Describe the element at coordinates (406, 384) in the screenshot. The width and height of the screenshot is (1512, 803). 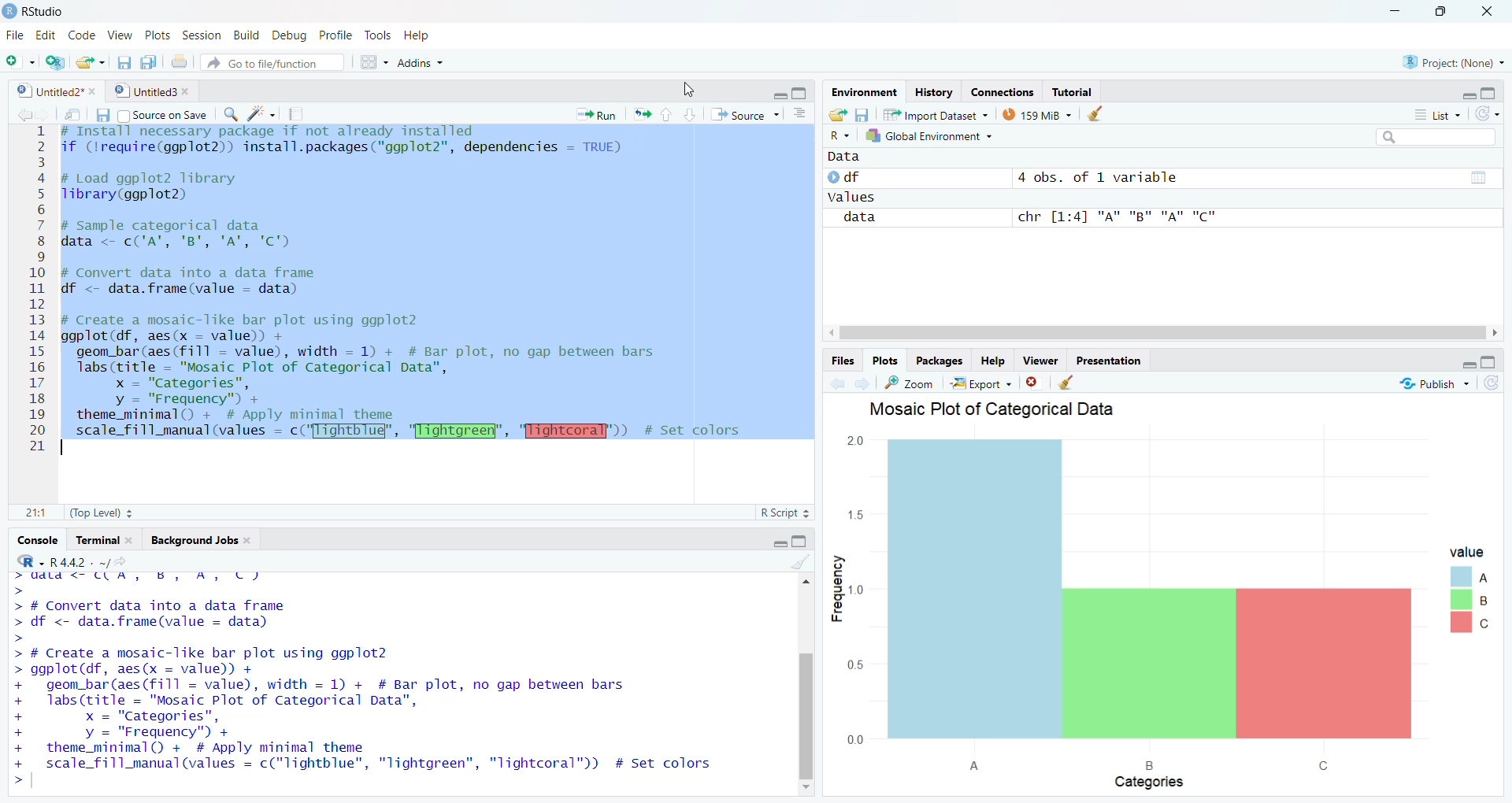
I see `# Create a mosaic-like bar plot using ggplot2
ggplot (df, aes(x = value)) +
geom_bar (aes (fill = value), width = 1) + # Bar plot, no gap between bars
labs (title = "Mosaic Plot of Categorical Data",
x = "Categories",
y = "Frequency") +
theme_minimal() + # Apply minimal theme
| scale_fill_manual(values - c('(Tightblue", '[Tightoreen’, 'JHOAECOREN")) # Set colors` at that location.